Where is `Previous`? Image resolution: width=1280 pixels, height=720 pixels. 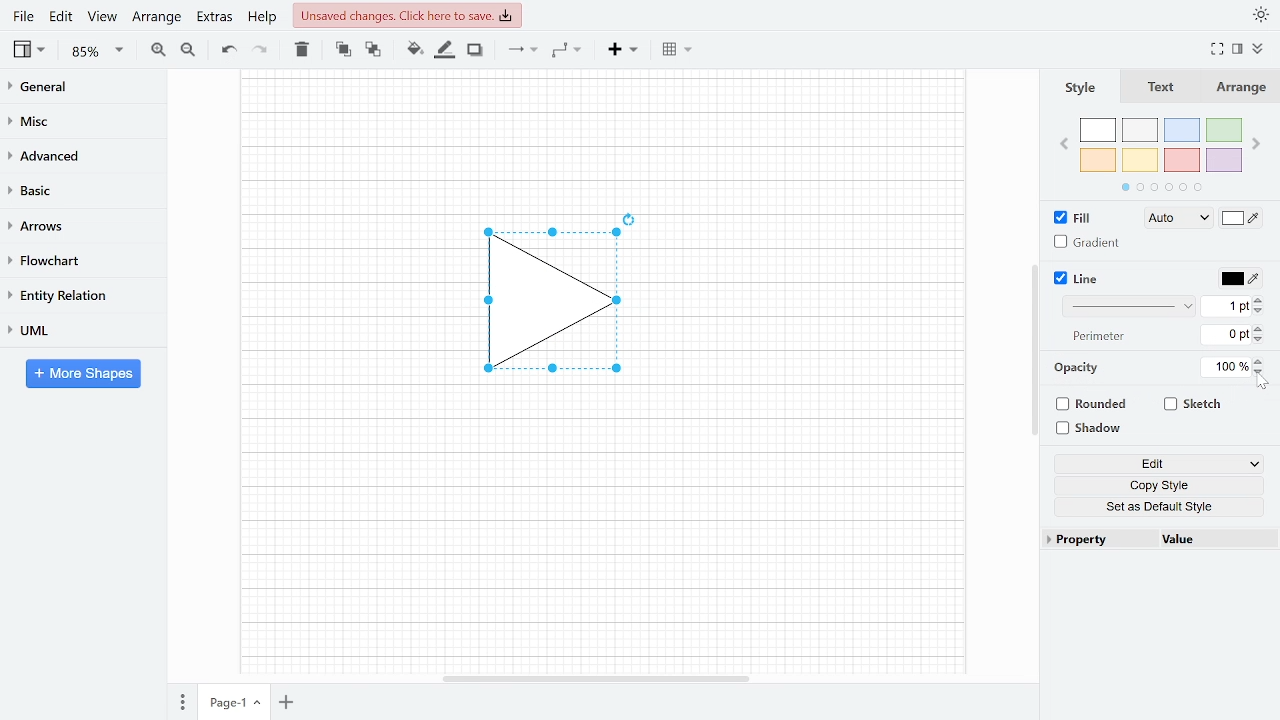 Previous is located at coordinates (1063, 142).